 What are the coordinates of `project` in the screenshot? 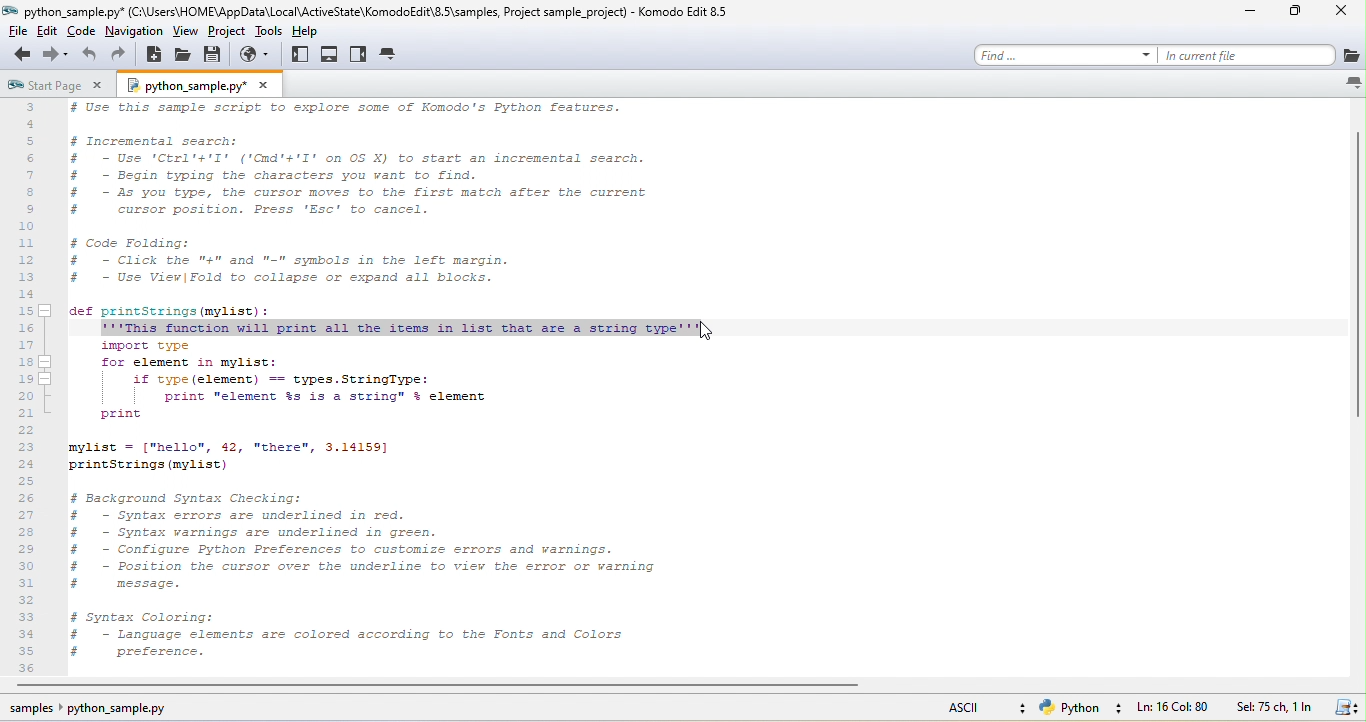 It's located at (228, 32).